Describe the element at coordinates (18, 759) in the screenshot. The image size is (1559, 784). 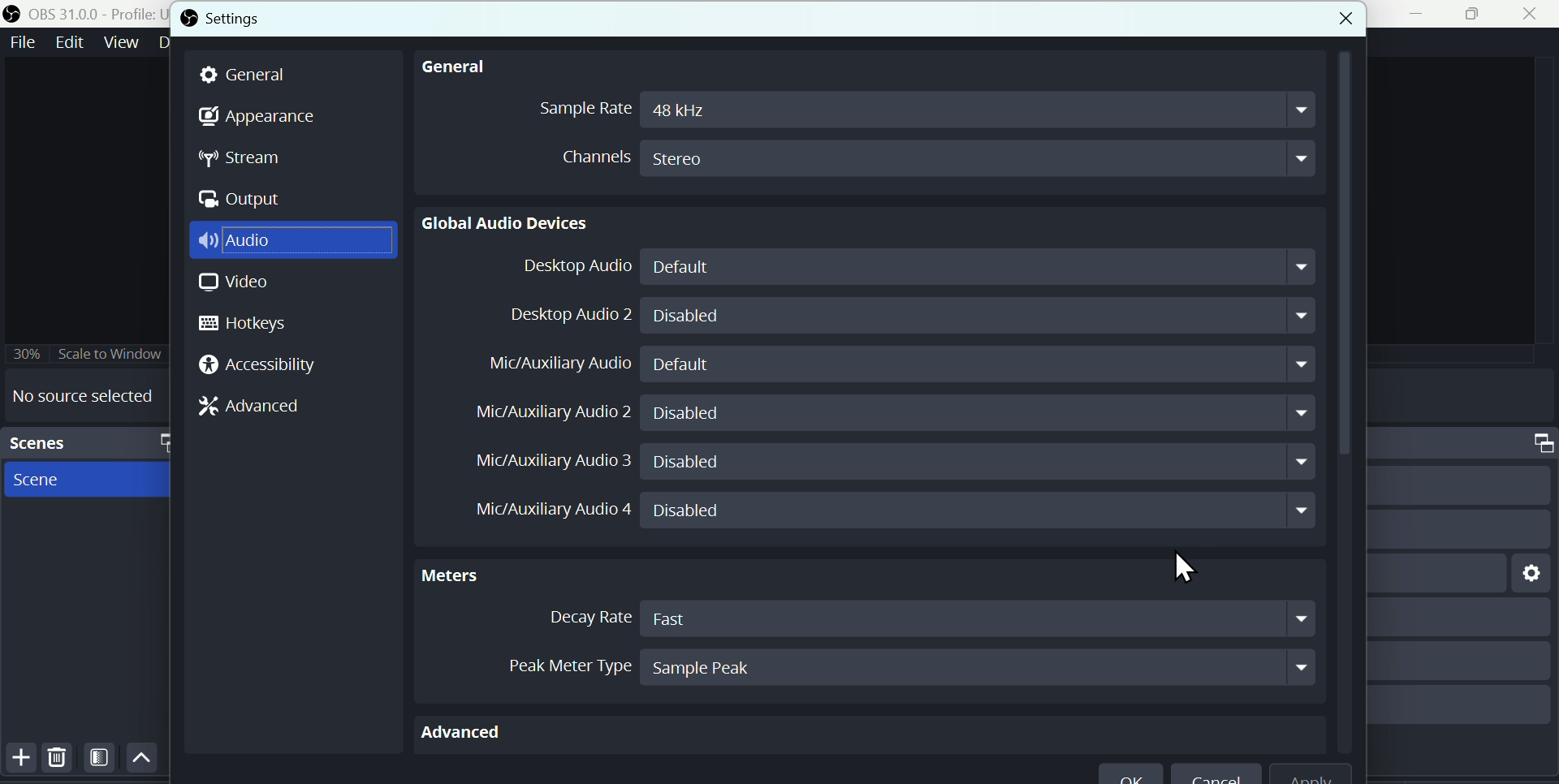
I see `` at that location.